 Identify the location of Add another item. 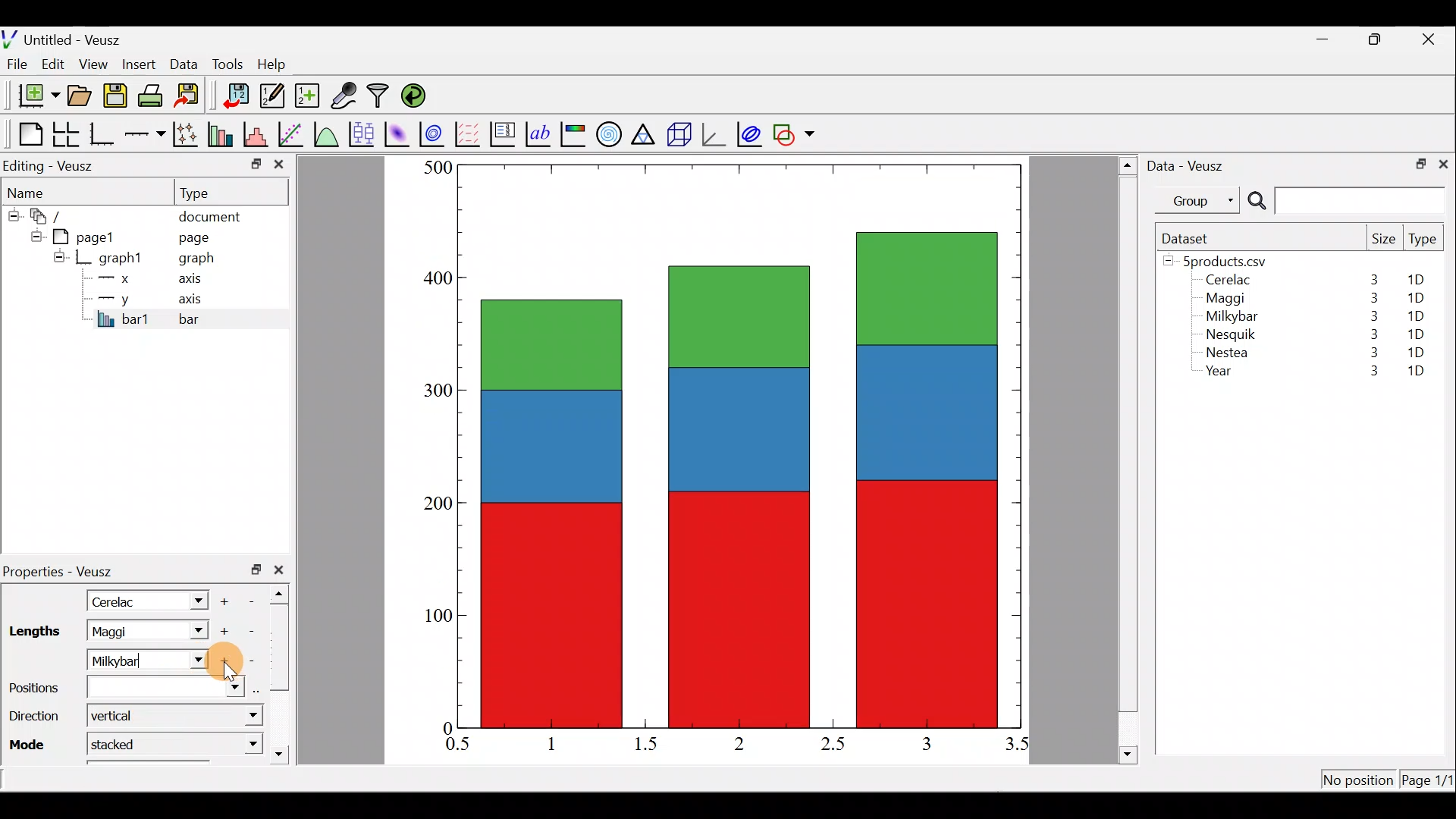
(227, 599).